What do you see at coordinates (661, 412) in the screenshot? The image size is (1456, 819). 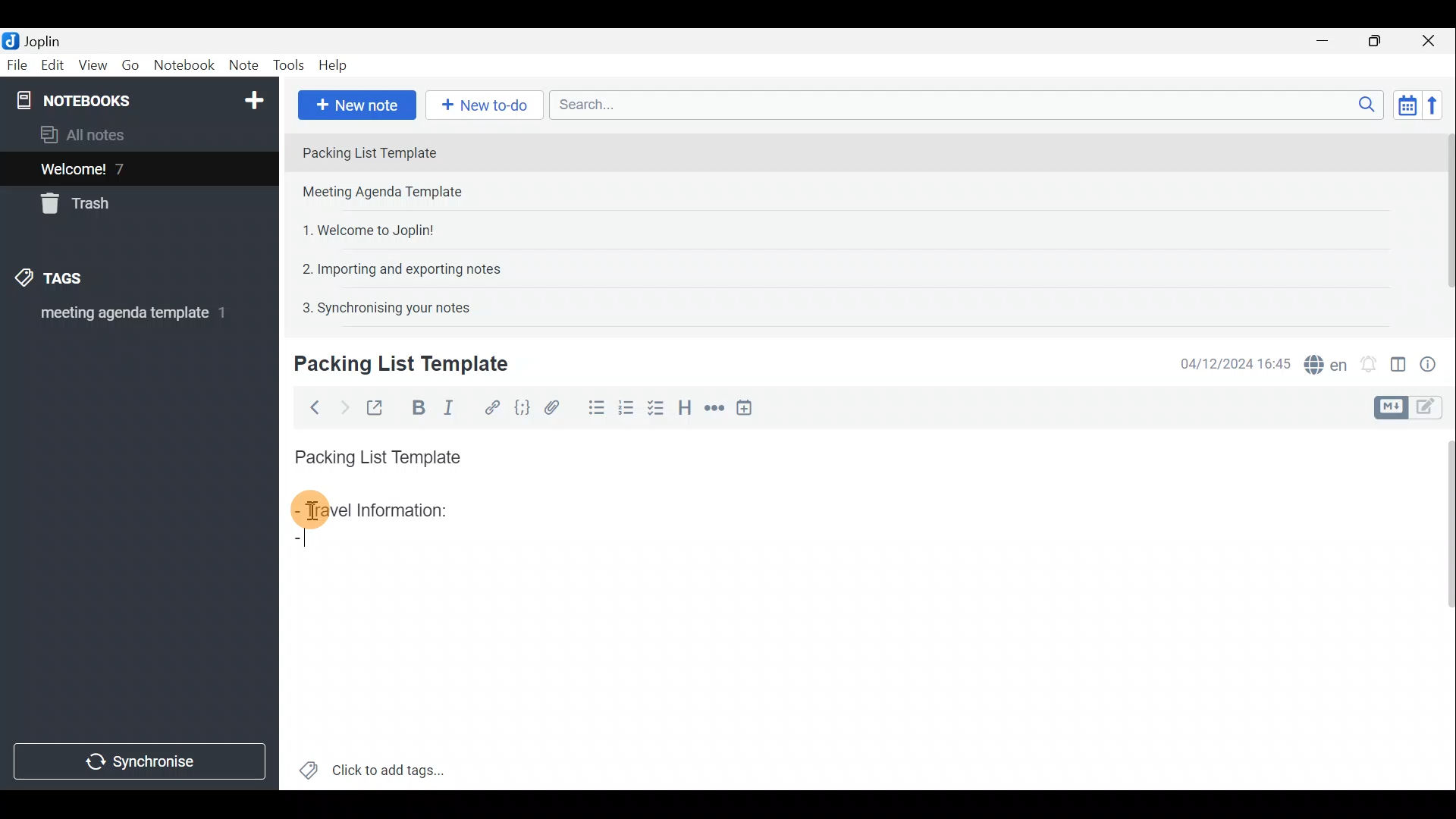 I see `Checkbox` at bounding box center [661, 412].